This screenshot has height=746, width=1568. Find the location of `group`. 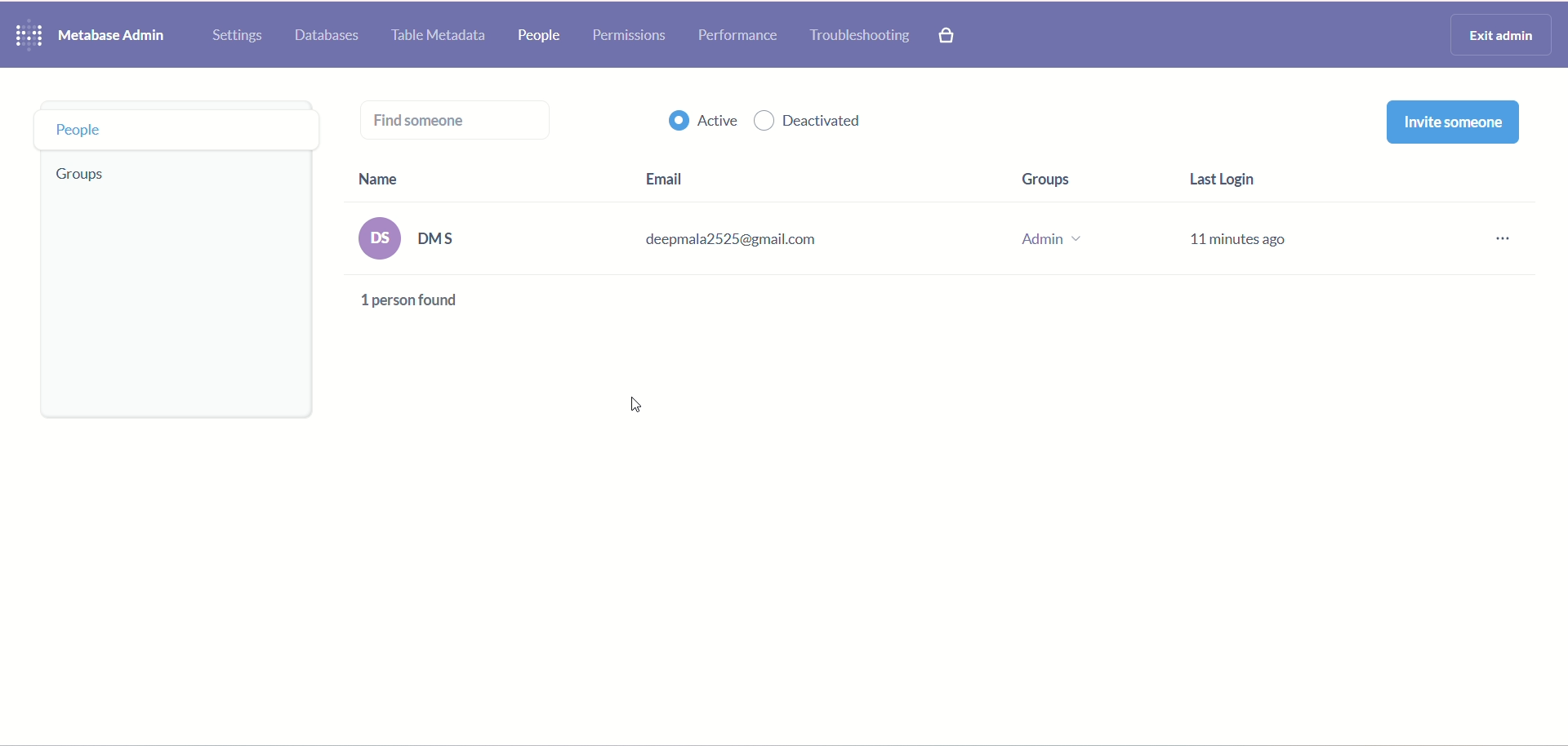

group is located at coordinates (1053, 212).